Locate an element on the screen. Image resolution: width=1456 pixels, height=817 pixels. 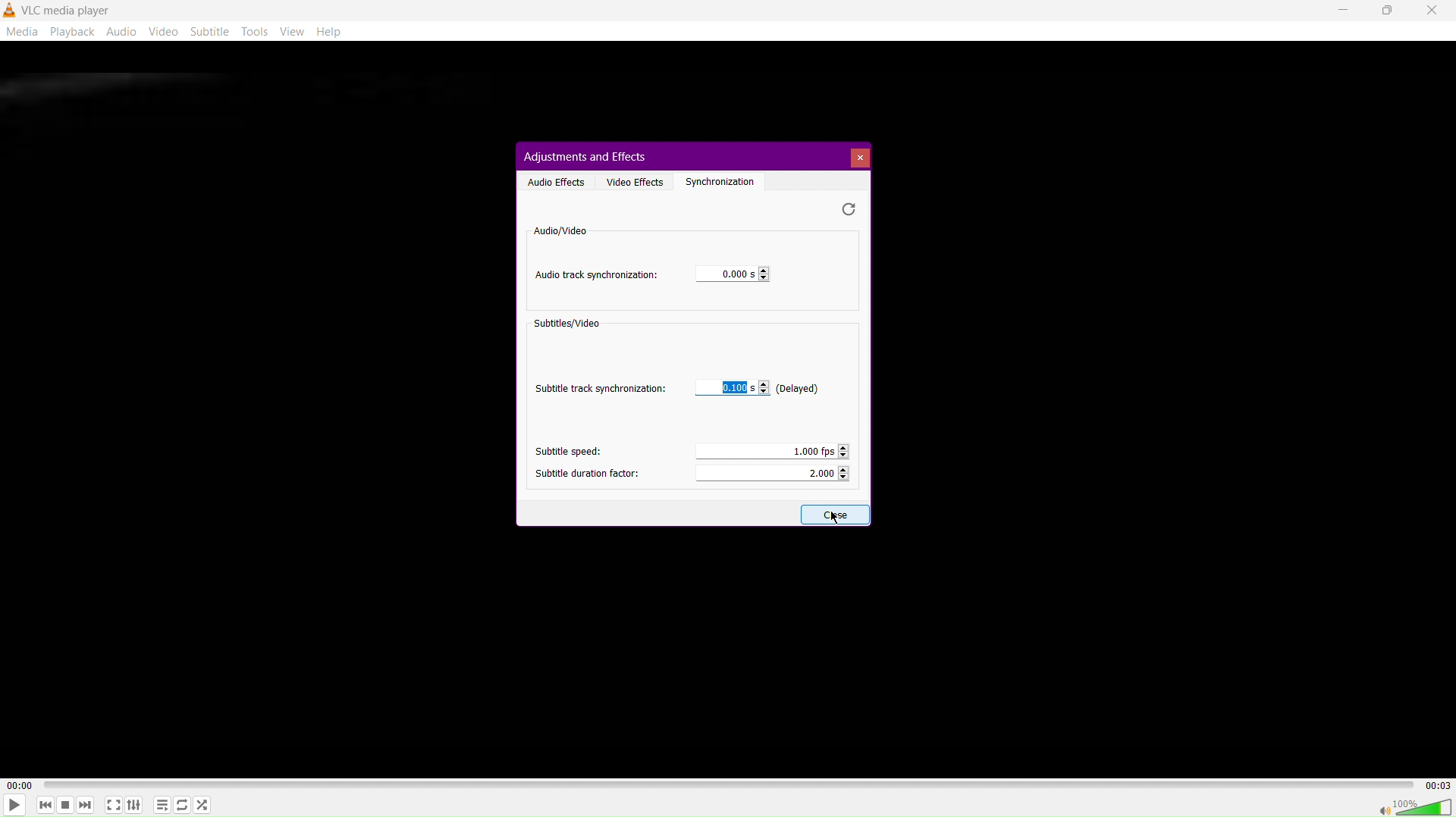
Adjustments and Effects is located at coordinates (585, 155).